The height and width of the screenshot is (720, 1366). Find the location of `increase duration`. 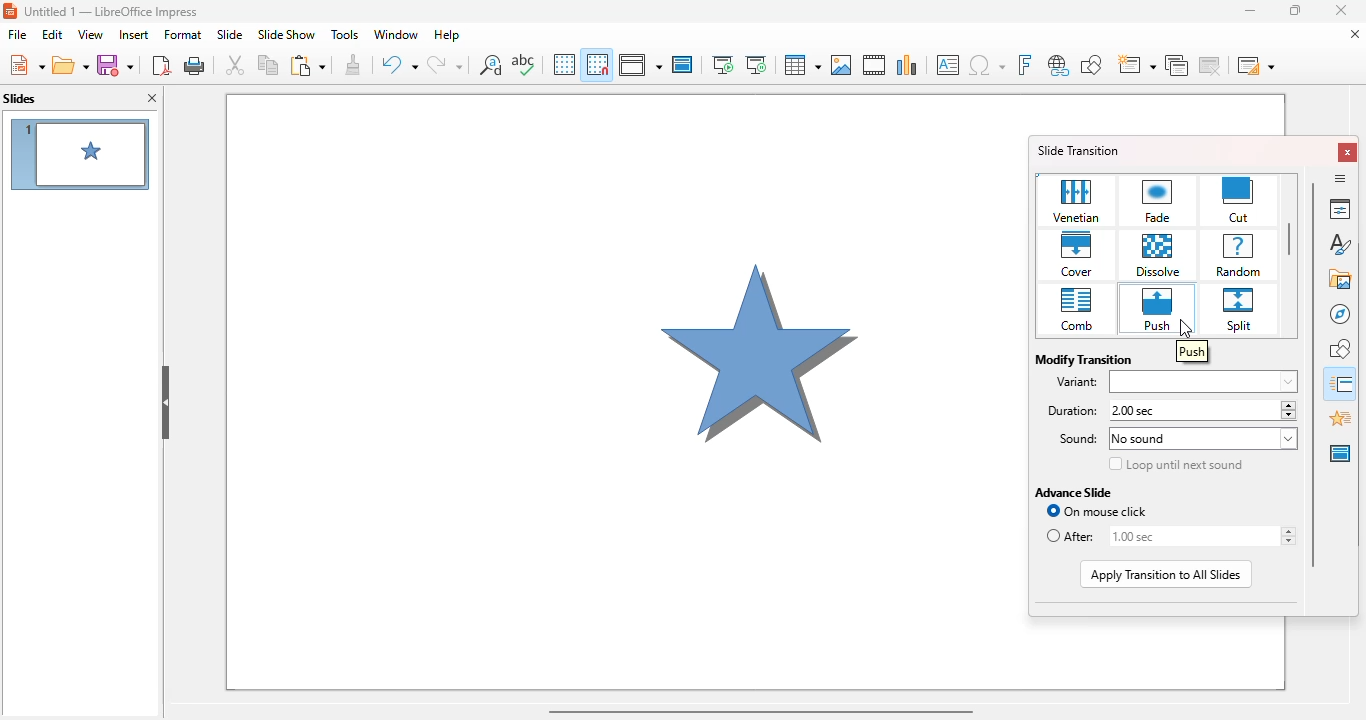

increase duration is located at coordinates (1287, 404).